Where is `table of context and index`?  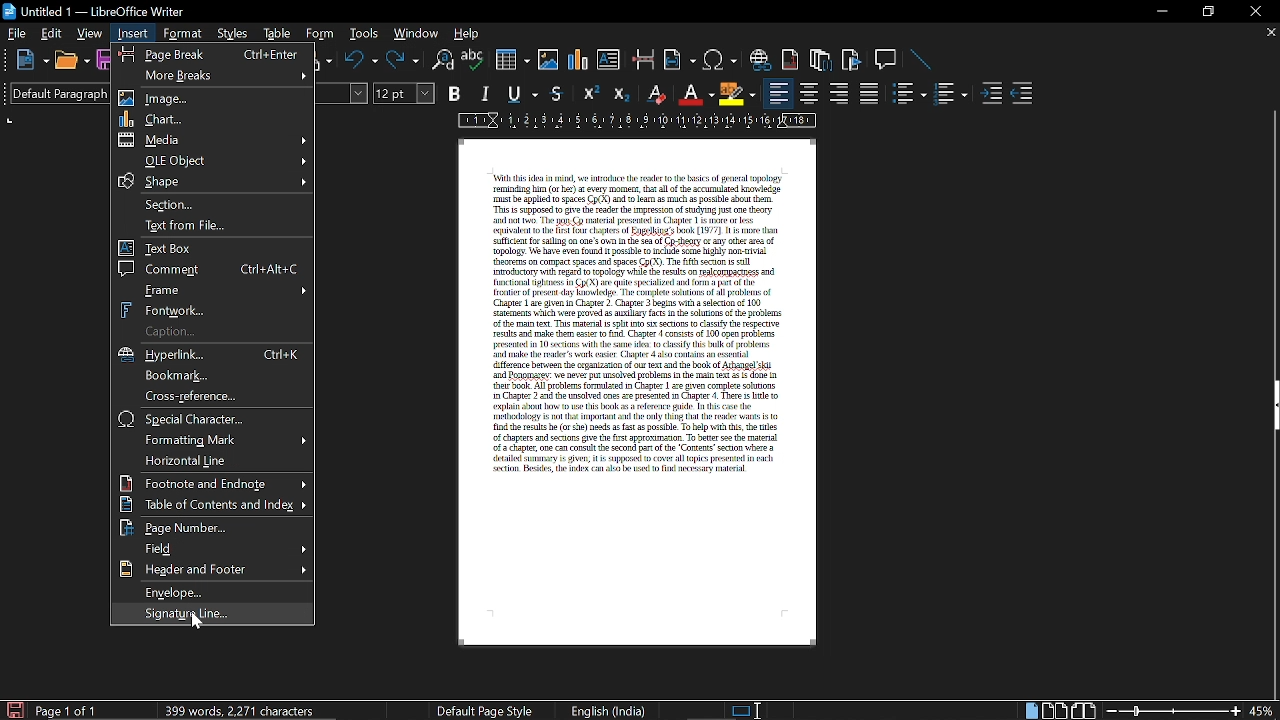 table of context and index is located at coordinates (214, 505).